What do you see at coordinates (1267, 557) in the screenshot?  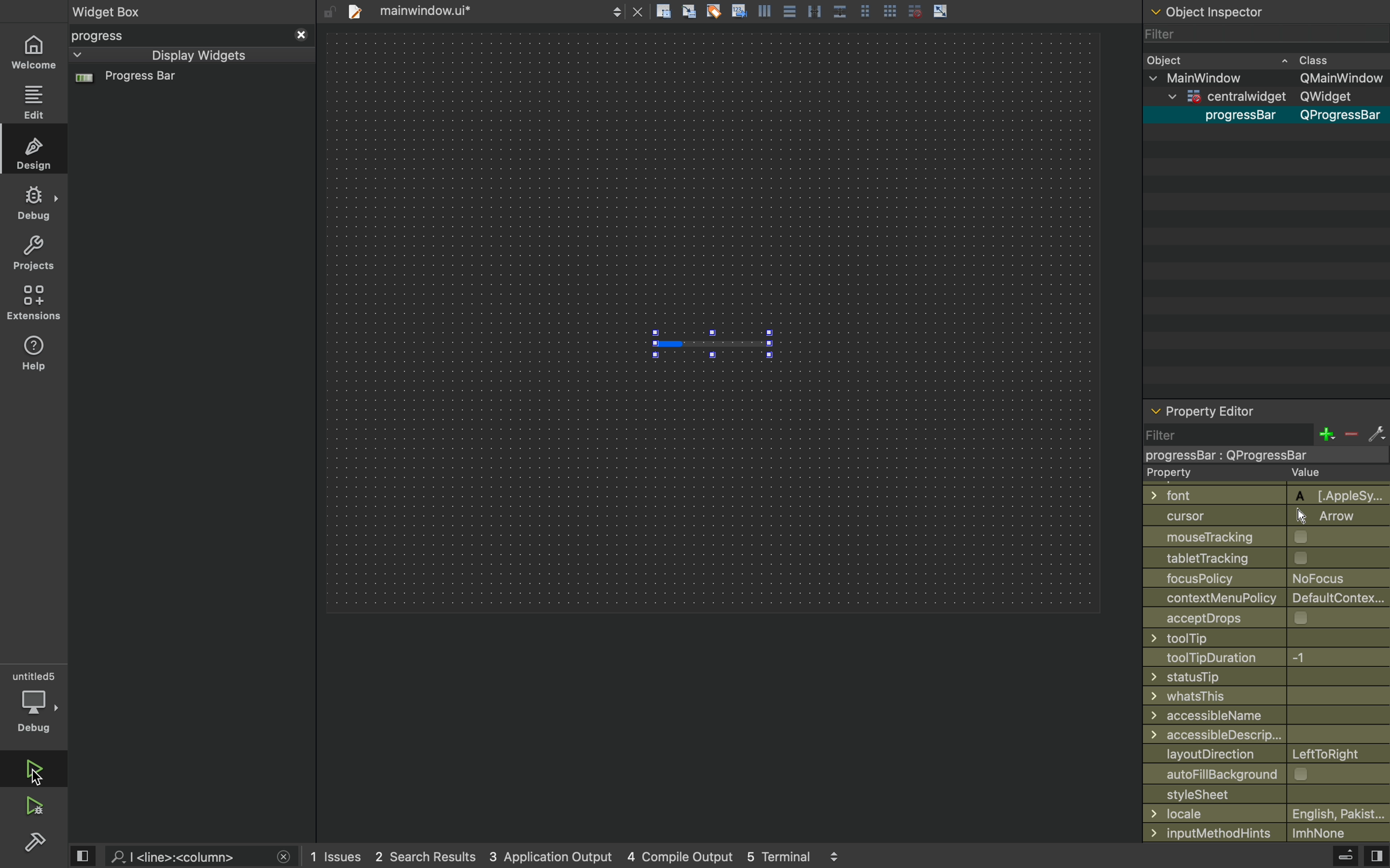 I see `tabletracking` at bounding box center [1267, 557].